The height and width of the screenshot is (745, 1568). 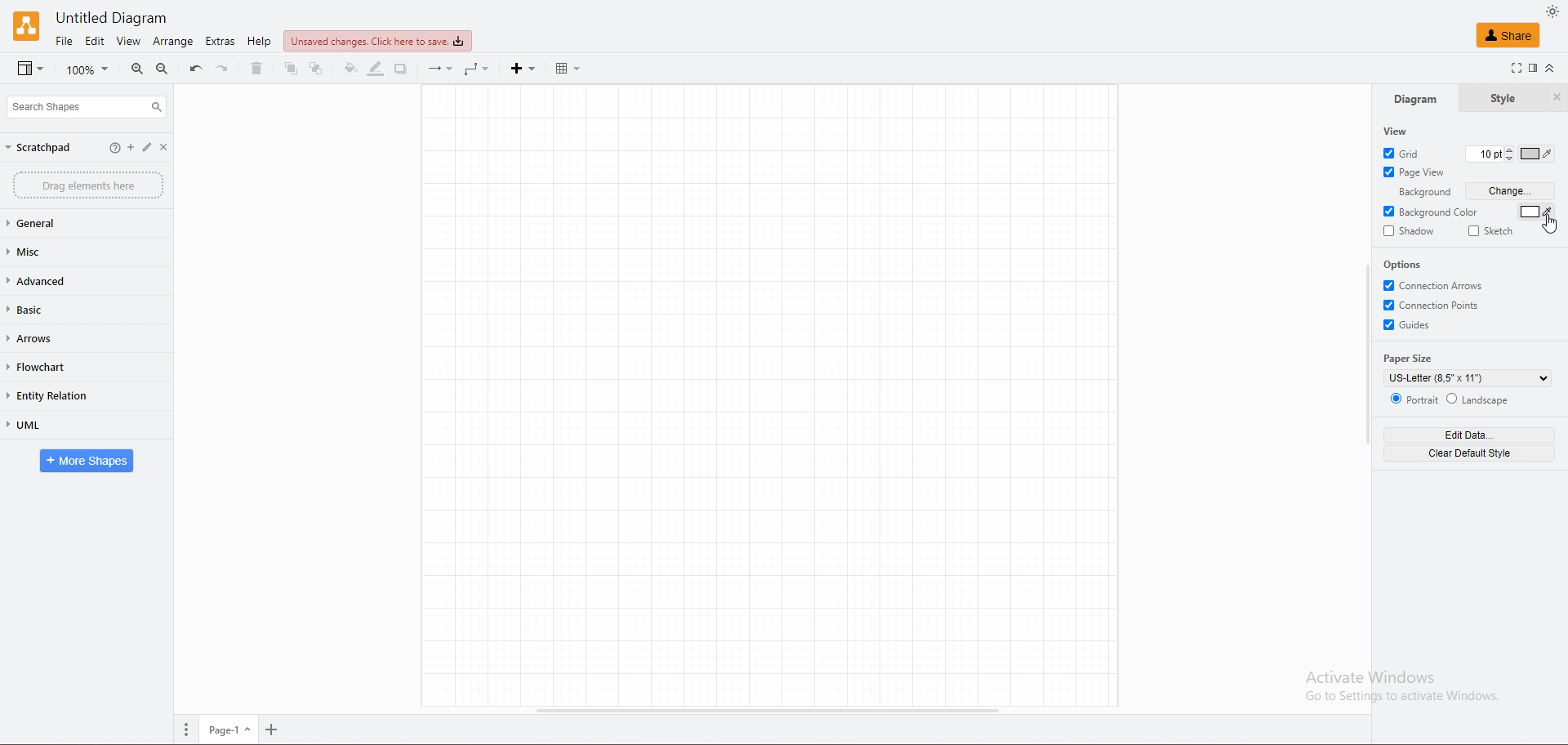 What do you see at coordinates (69, 280) in the screenshot?
I see `advanced` at bounding box center [69, 280].